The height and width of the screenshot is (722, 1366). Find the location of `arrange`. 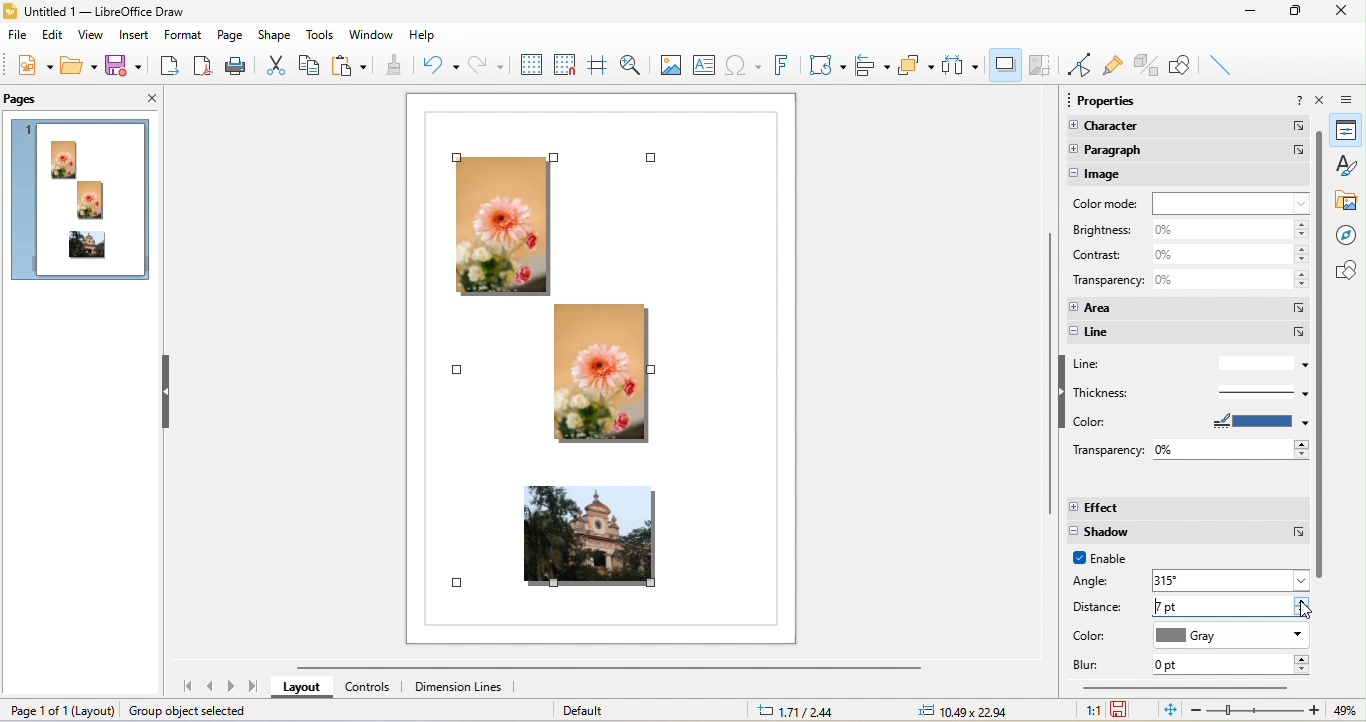

arrange is located at coordinates (917, 69).